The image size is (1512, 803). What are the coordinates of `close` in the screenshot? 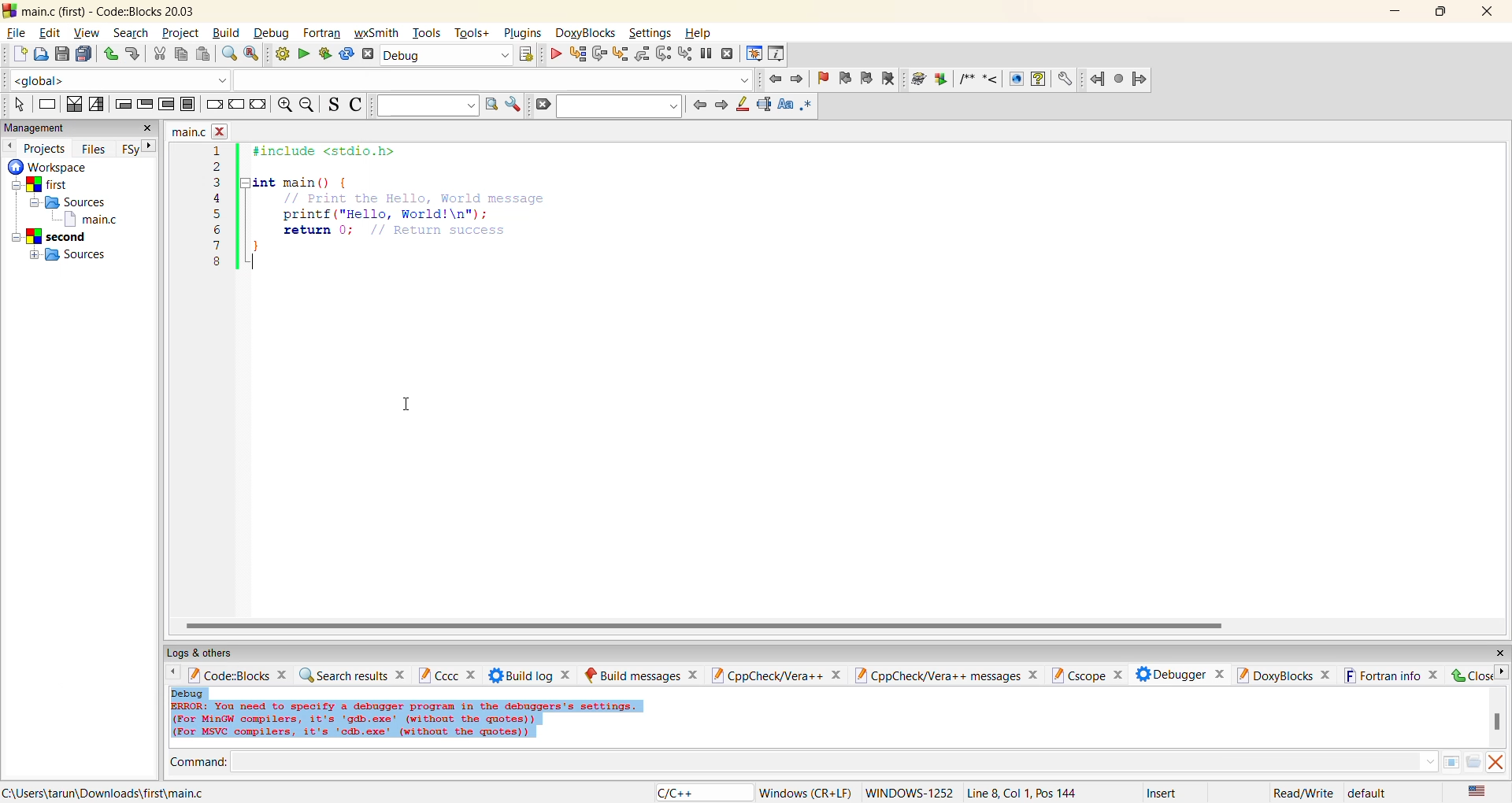 It's located at (1490, 13).